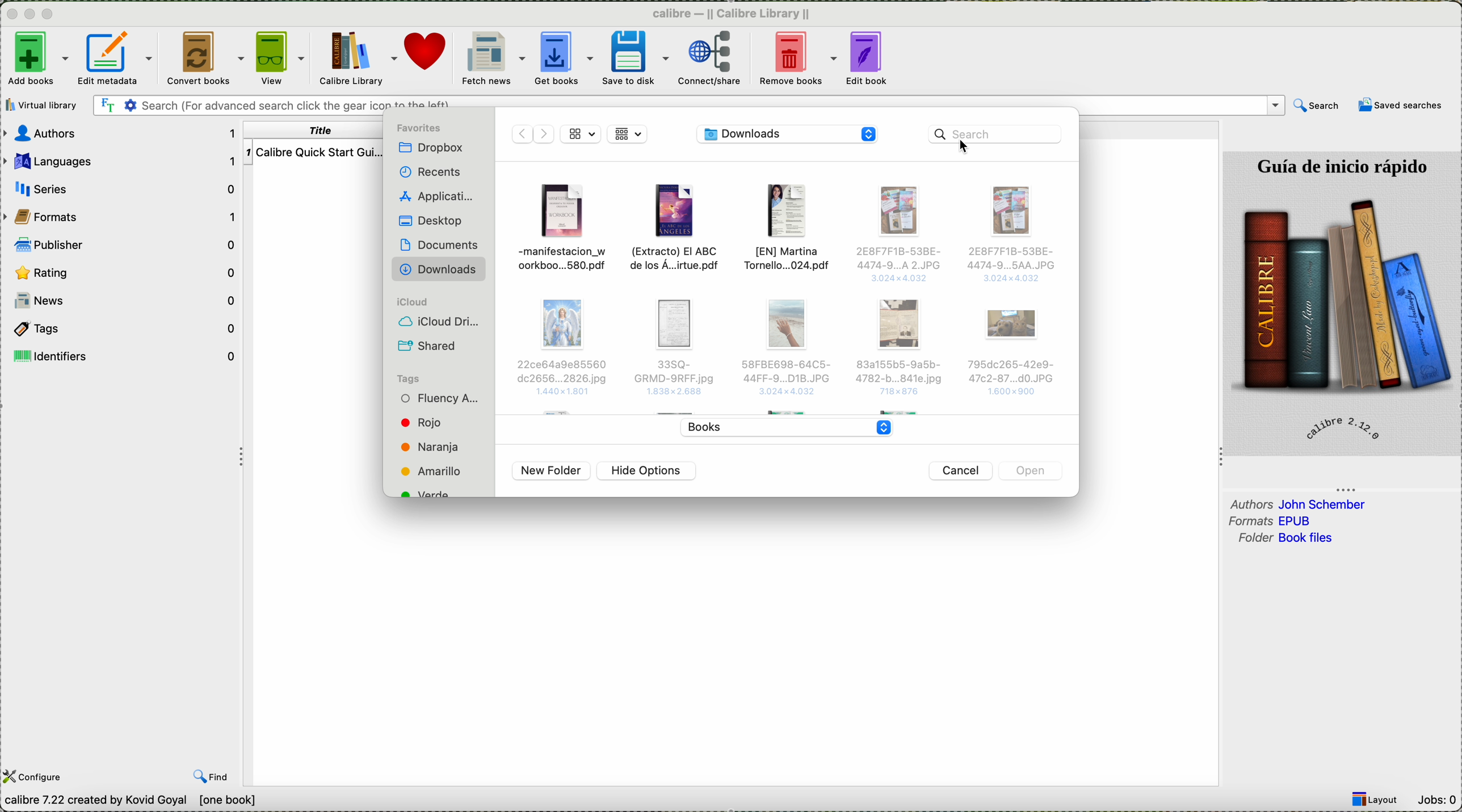 This screenshot has height=812, width=1462. I want to click on cancel button, so click(963, 471).